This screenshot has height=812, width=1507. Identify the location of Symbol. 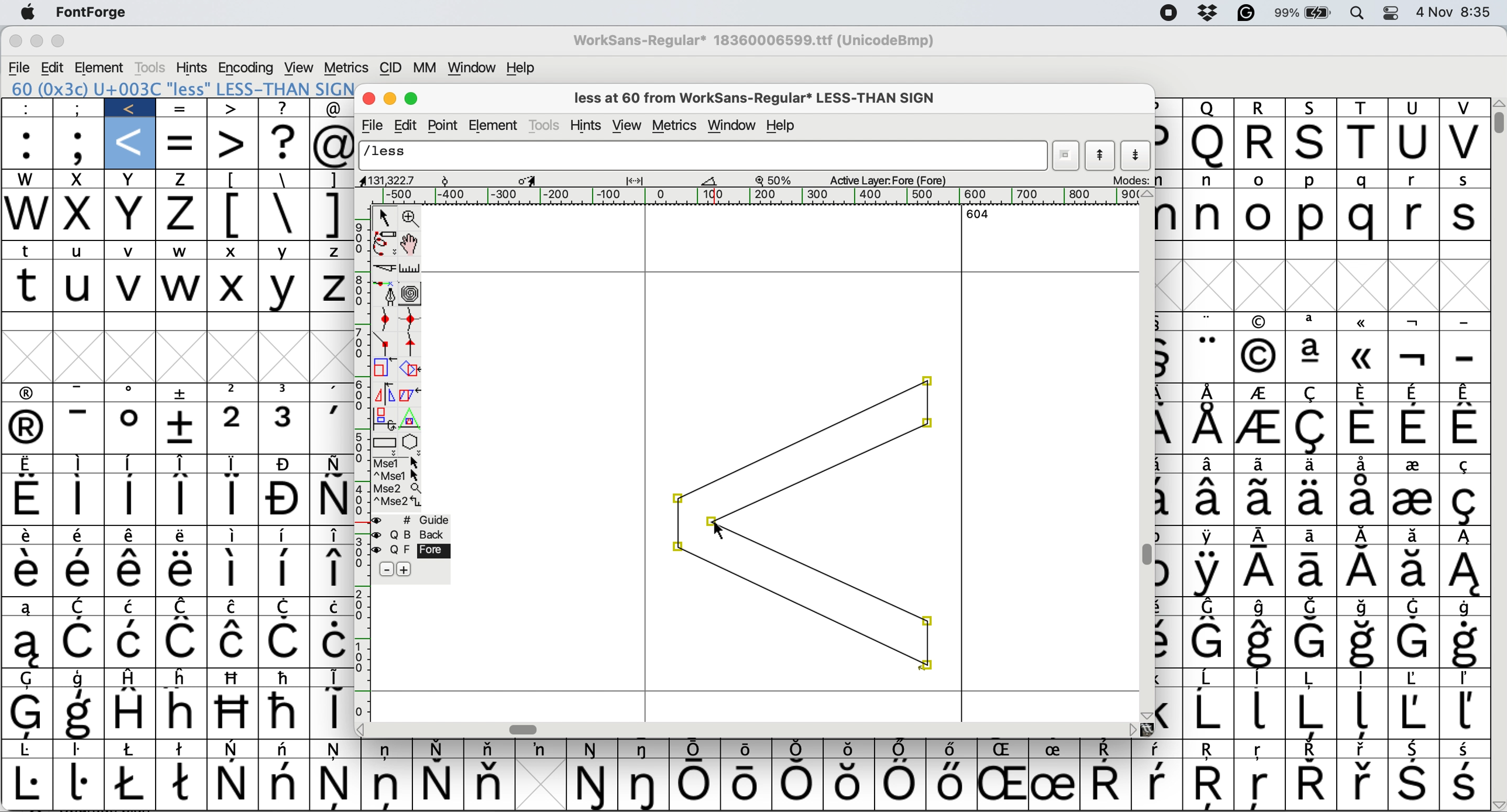
(83, 751).